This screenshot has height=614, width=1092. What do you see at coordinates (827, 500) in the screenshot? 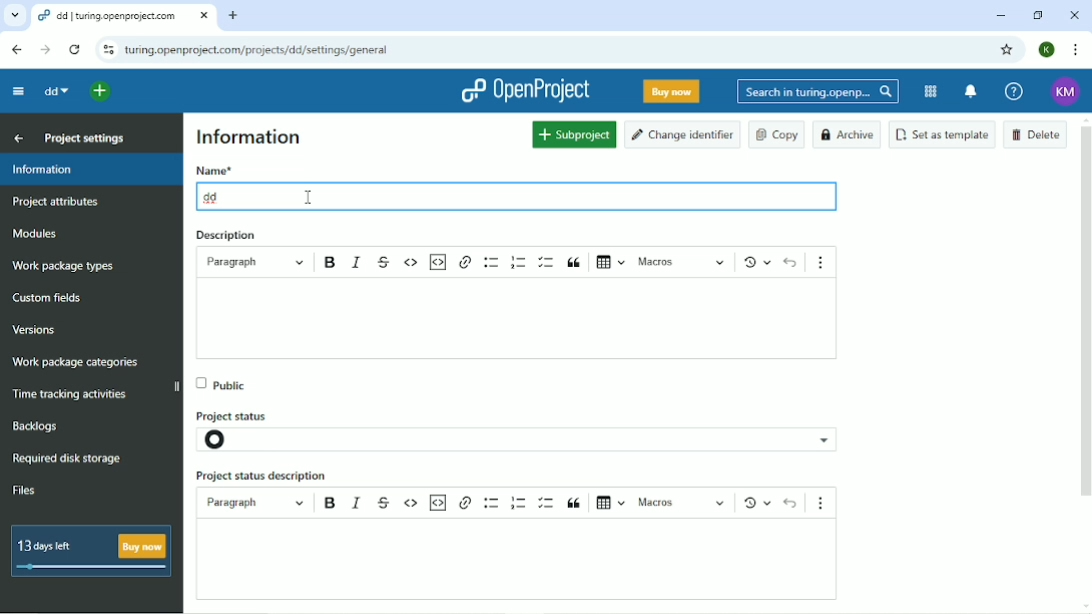
I see `show more items` at bounding box center [827, 500].